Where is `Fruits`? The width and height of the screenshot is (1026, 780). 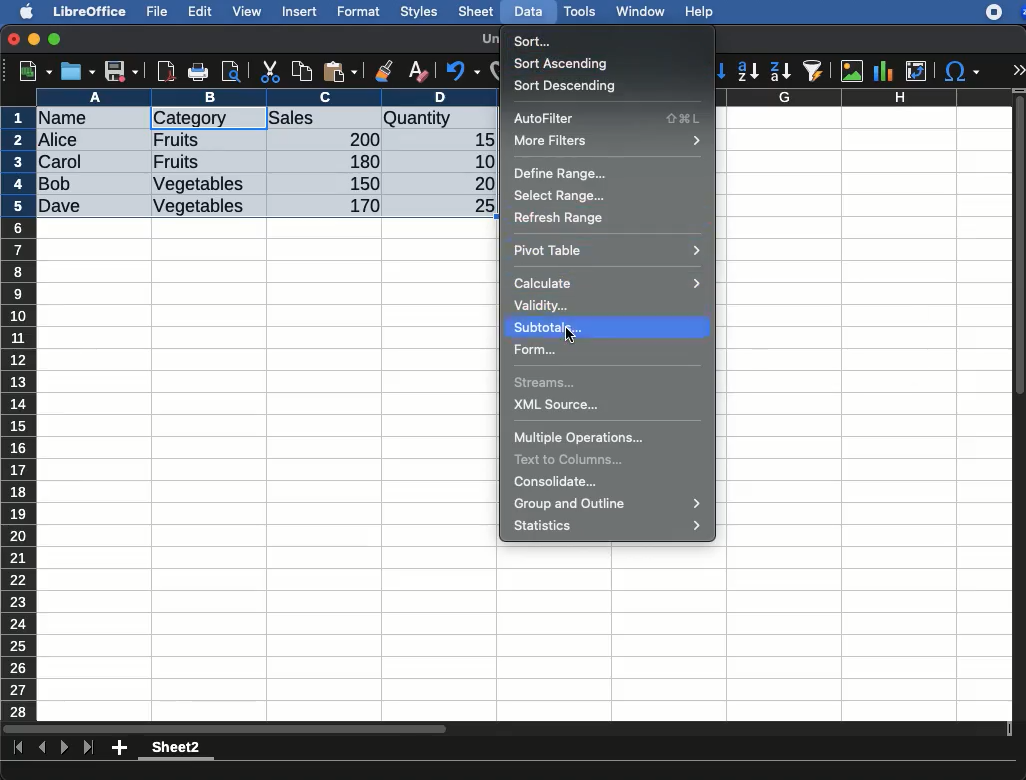 Fruits is located at coordinates (177, 139).